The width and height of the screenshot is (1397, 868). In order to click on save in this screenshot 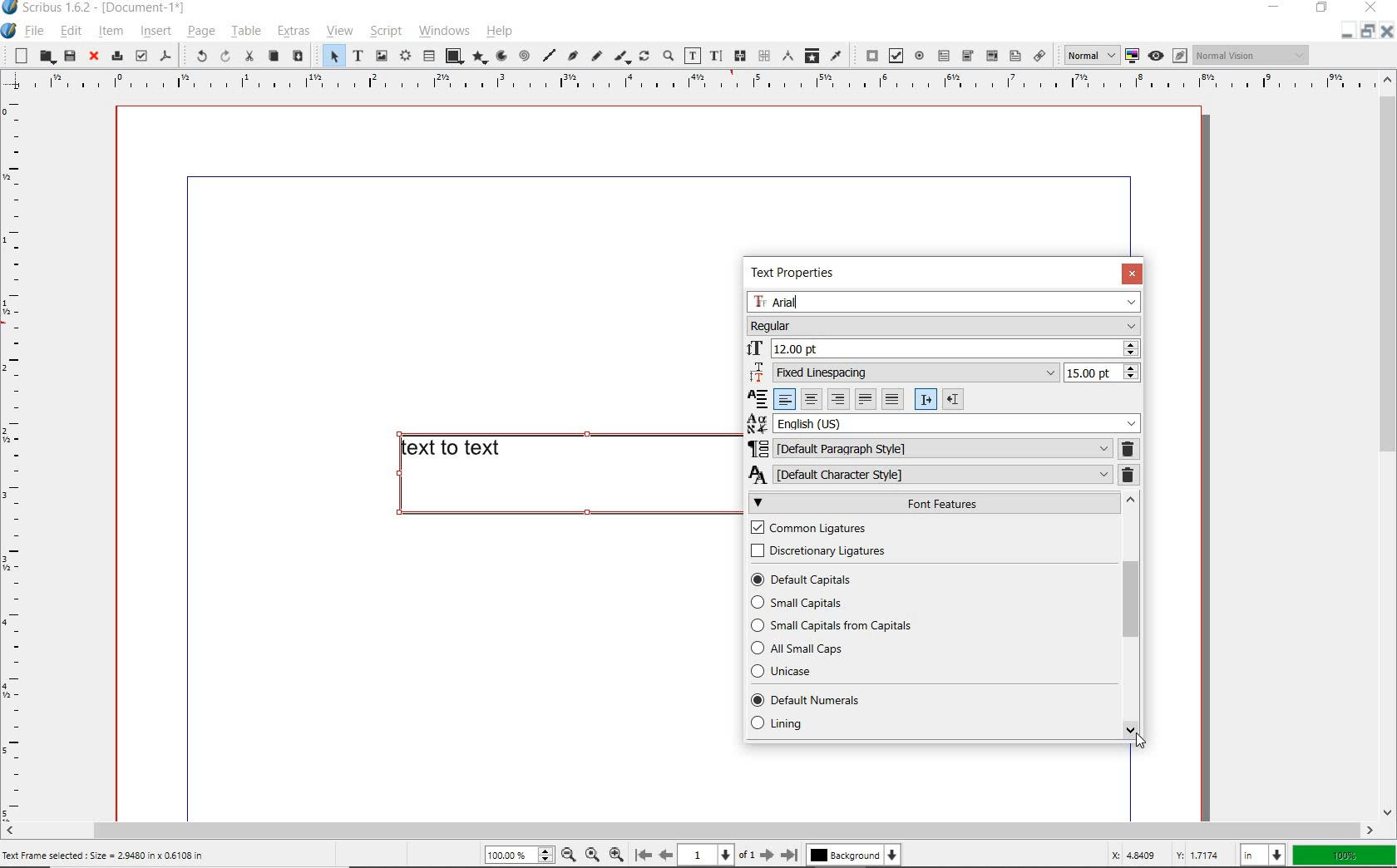, I will do `click(69, 56)`.